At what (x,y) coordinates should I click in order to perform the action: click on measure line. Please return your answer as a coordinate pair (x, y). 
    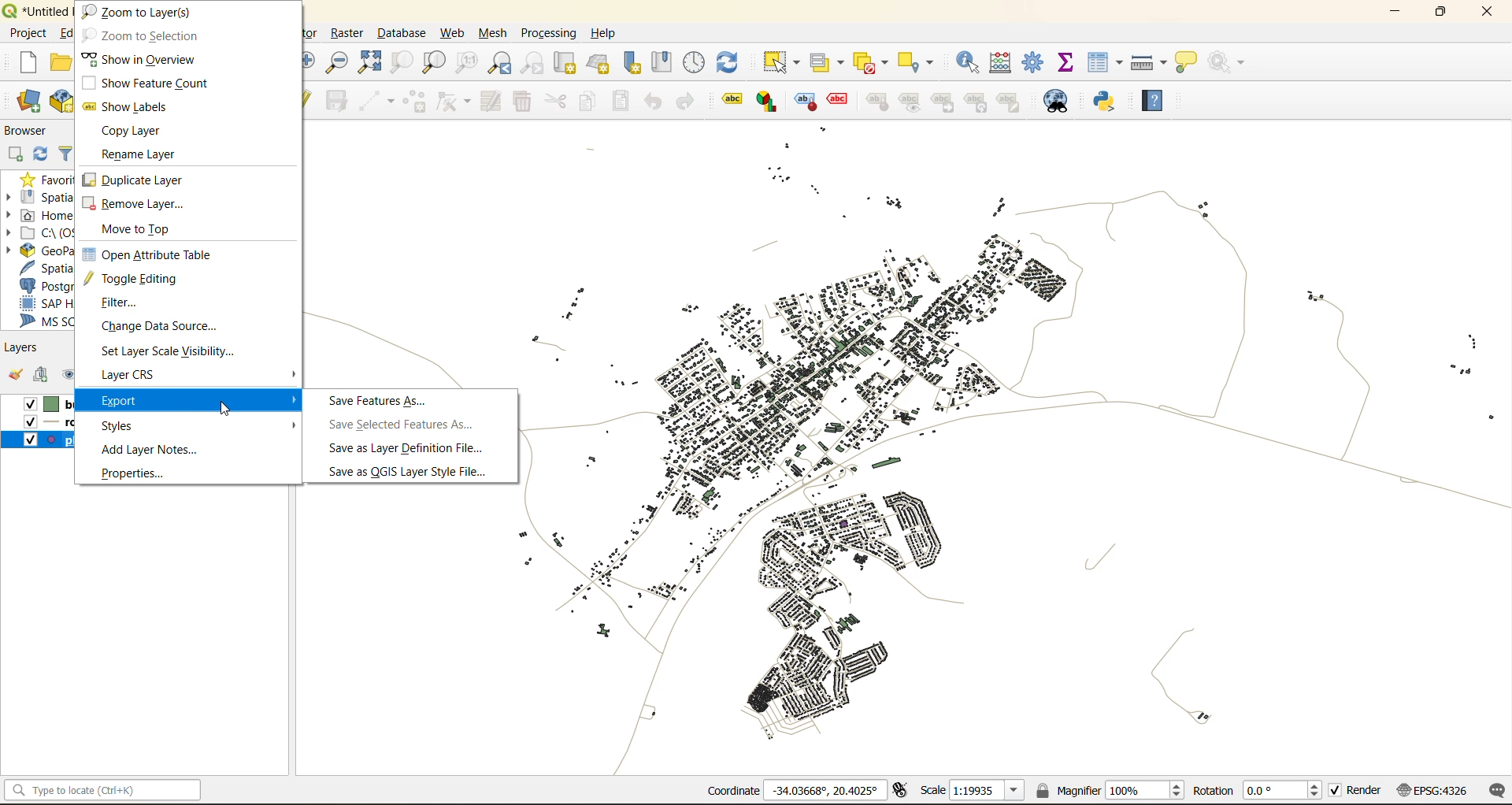
    Looking at the image, I should click on (1149, 61).